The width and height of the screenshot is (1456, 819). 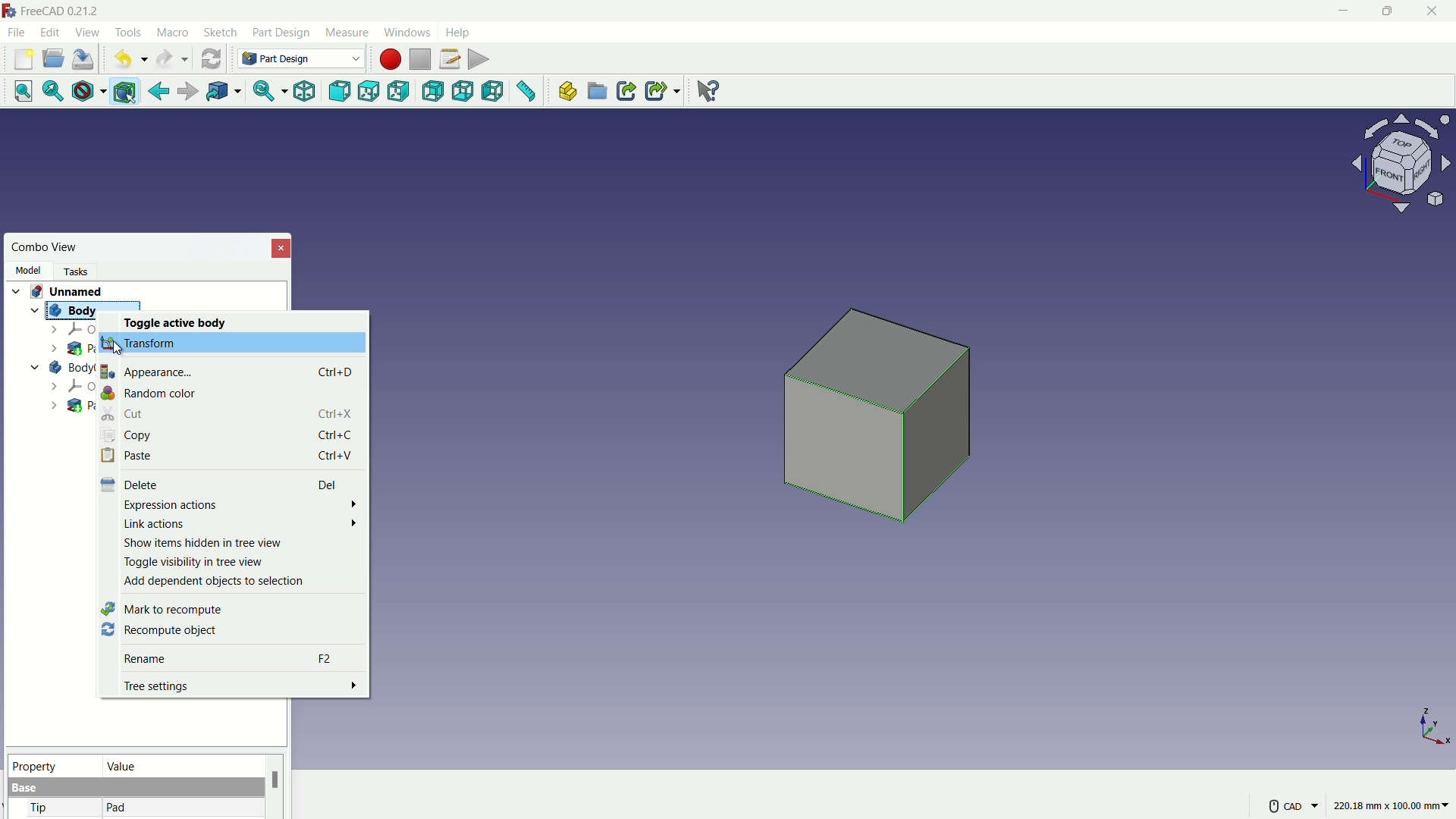 I want to click on axis, so click(x=1435, y=726).